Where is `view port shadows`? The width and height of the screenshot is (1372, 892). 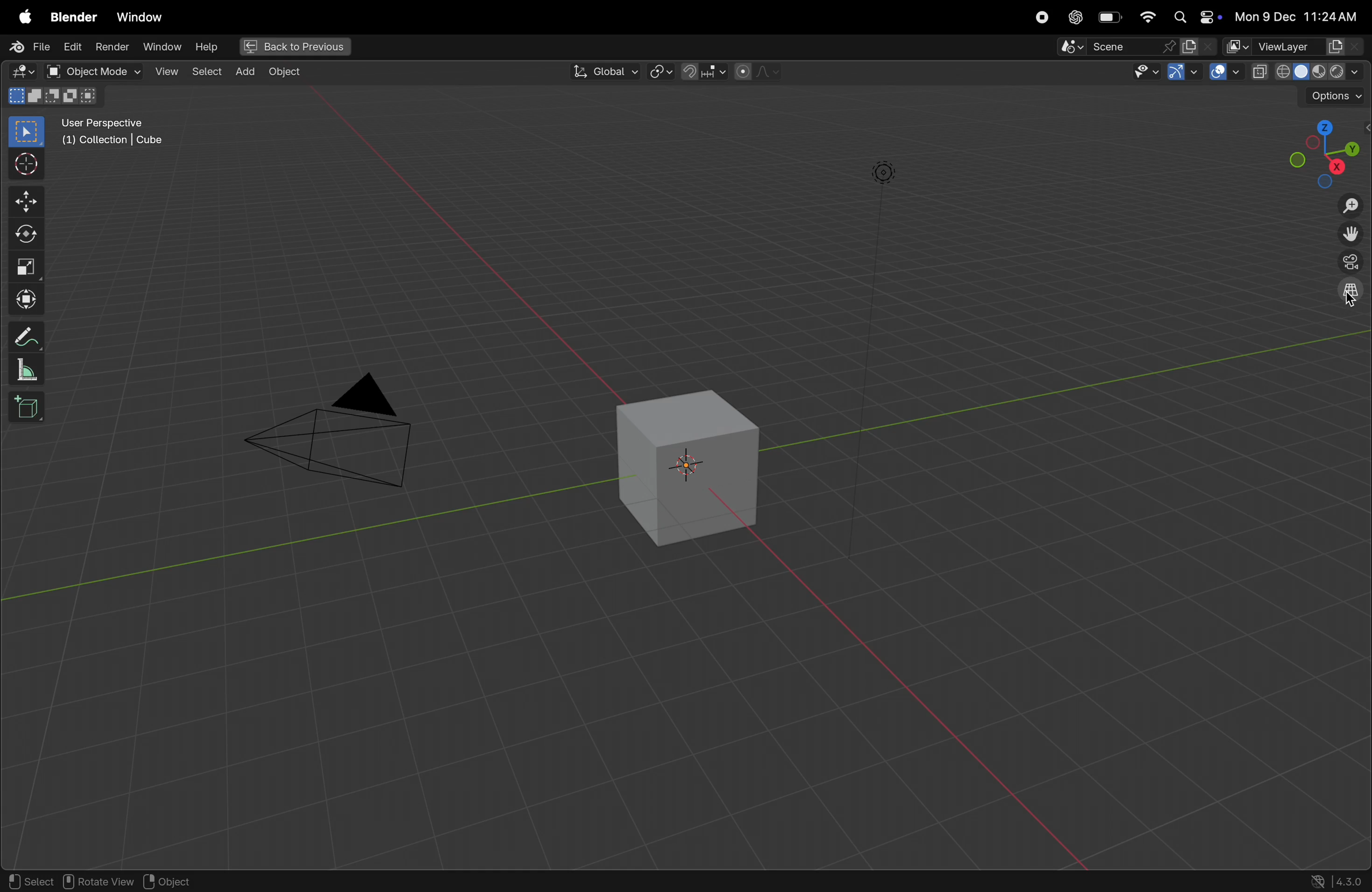
view port shadows is located at coordinates (1306, 70).